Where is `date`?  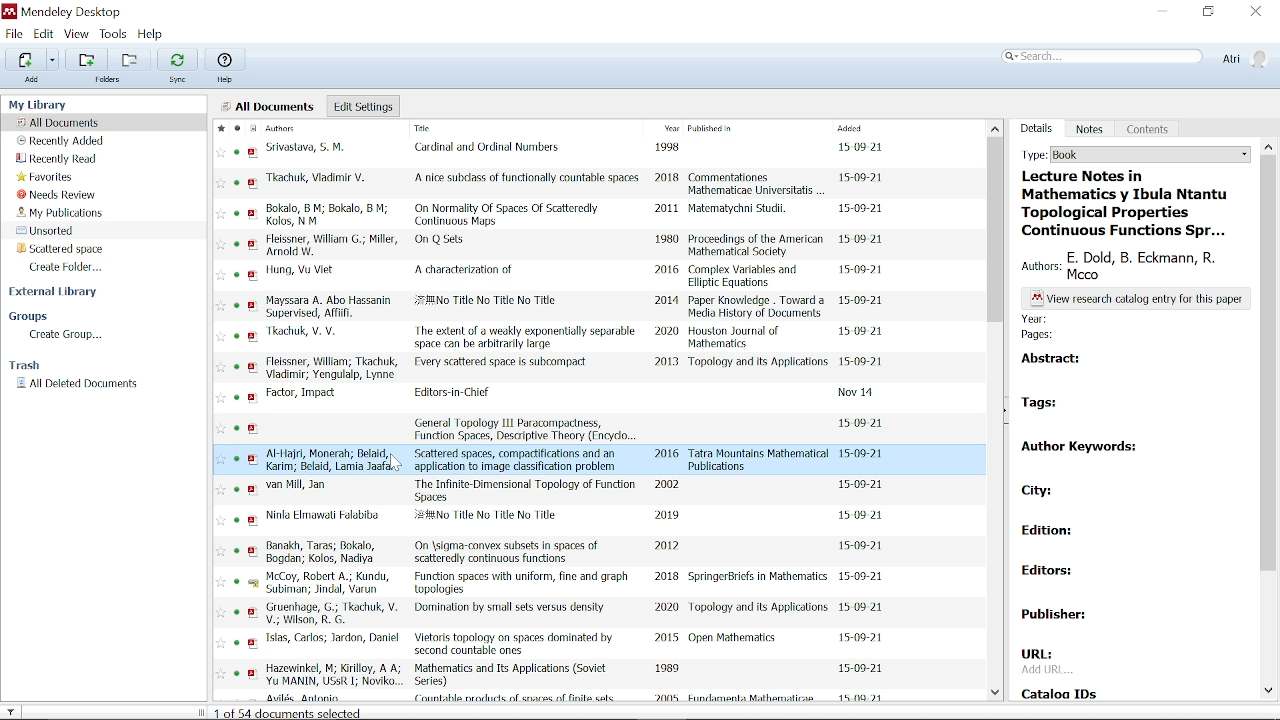 date is located at coordinates (858, 394).